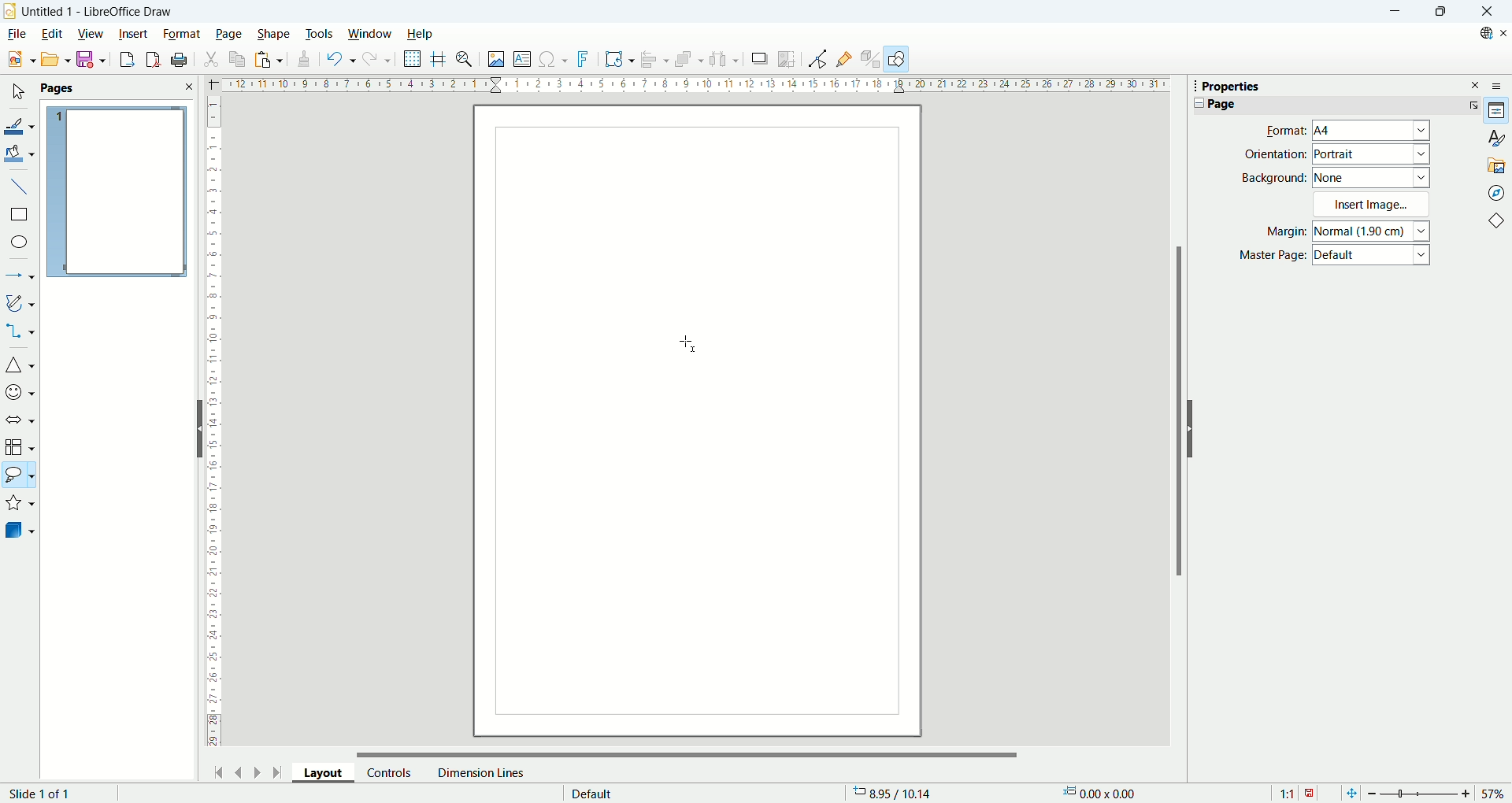 The width and height of the screenshot is (1512, 803). I want to click on crop image, so click(787, 57).